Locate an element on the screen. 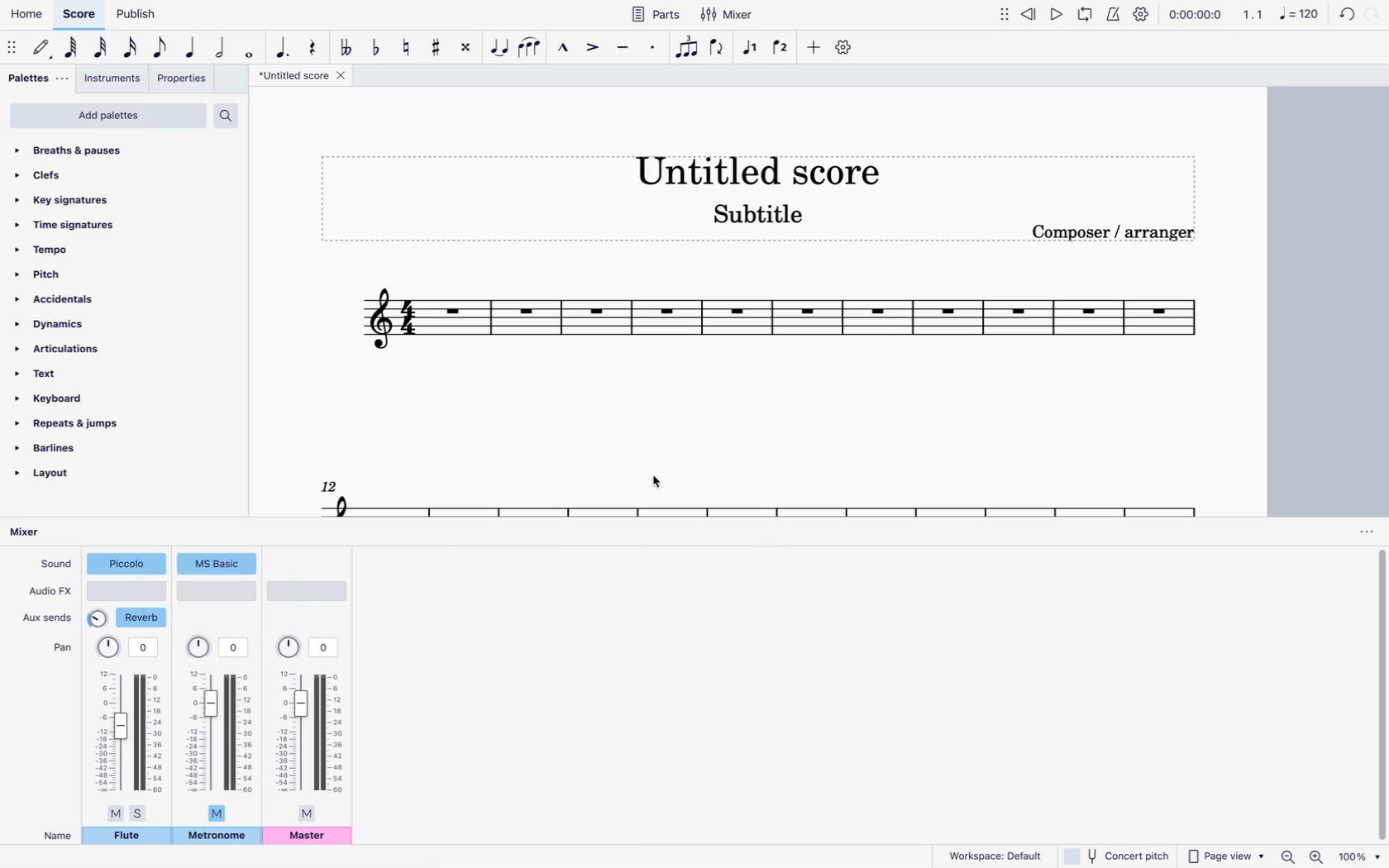 Image resolution: width=1389 pixels, height=868 pixels. palettes is located at coordinates (39, 81).